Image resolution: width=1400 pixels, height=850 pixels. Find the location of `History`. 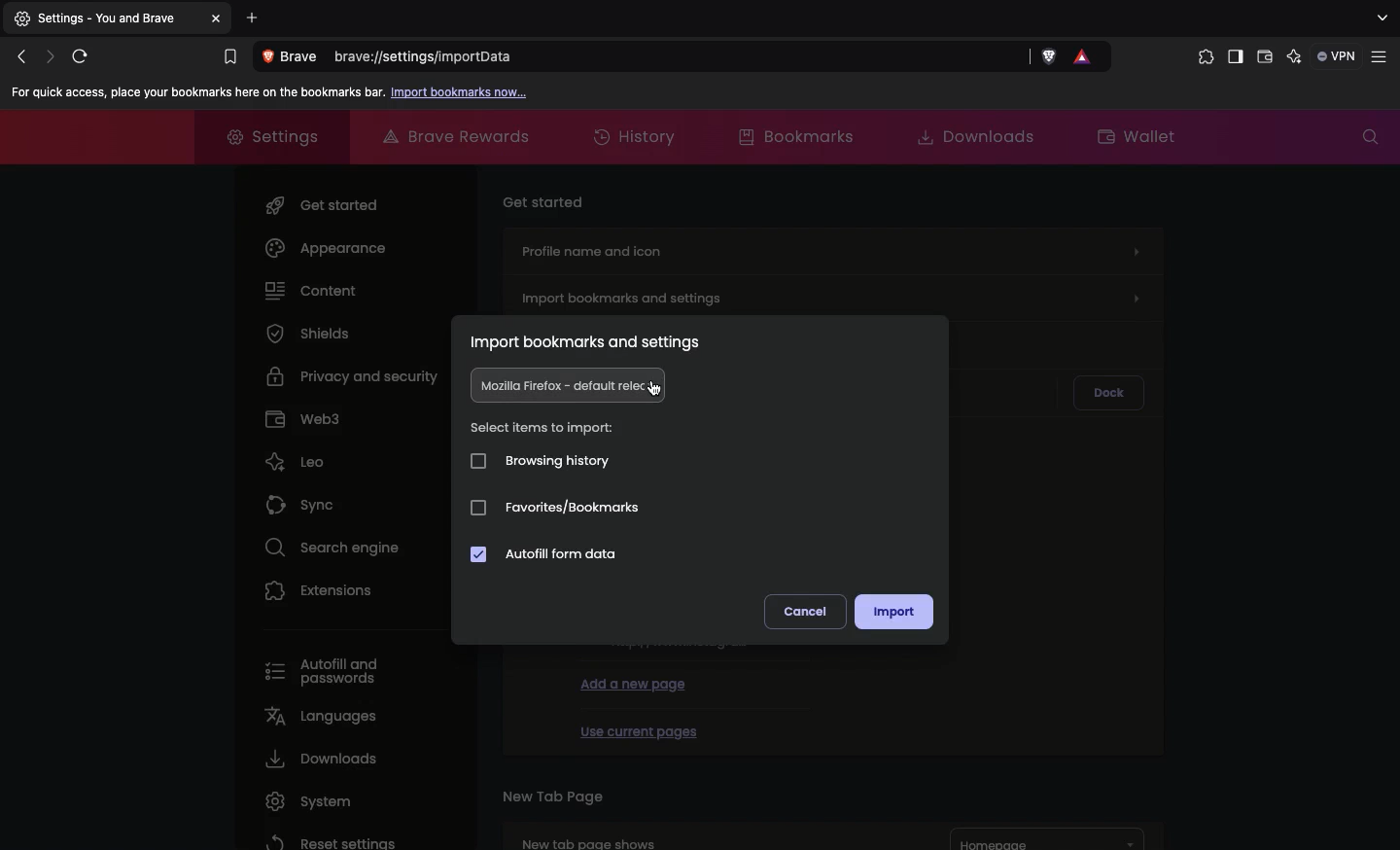

History is located at coordinates (638, 138).